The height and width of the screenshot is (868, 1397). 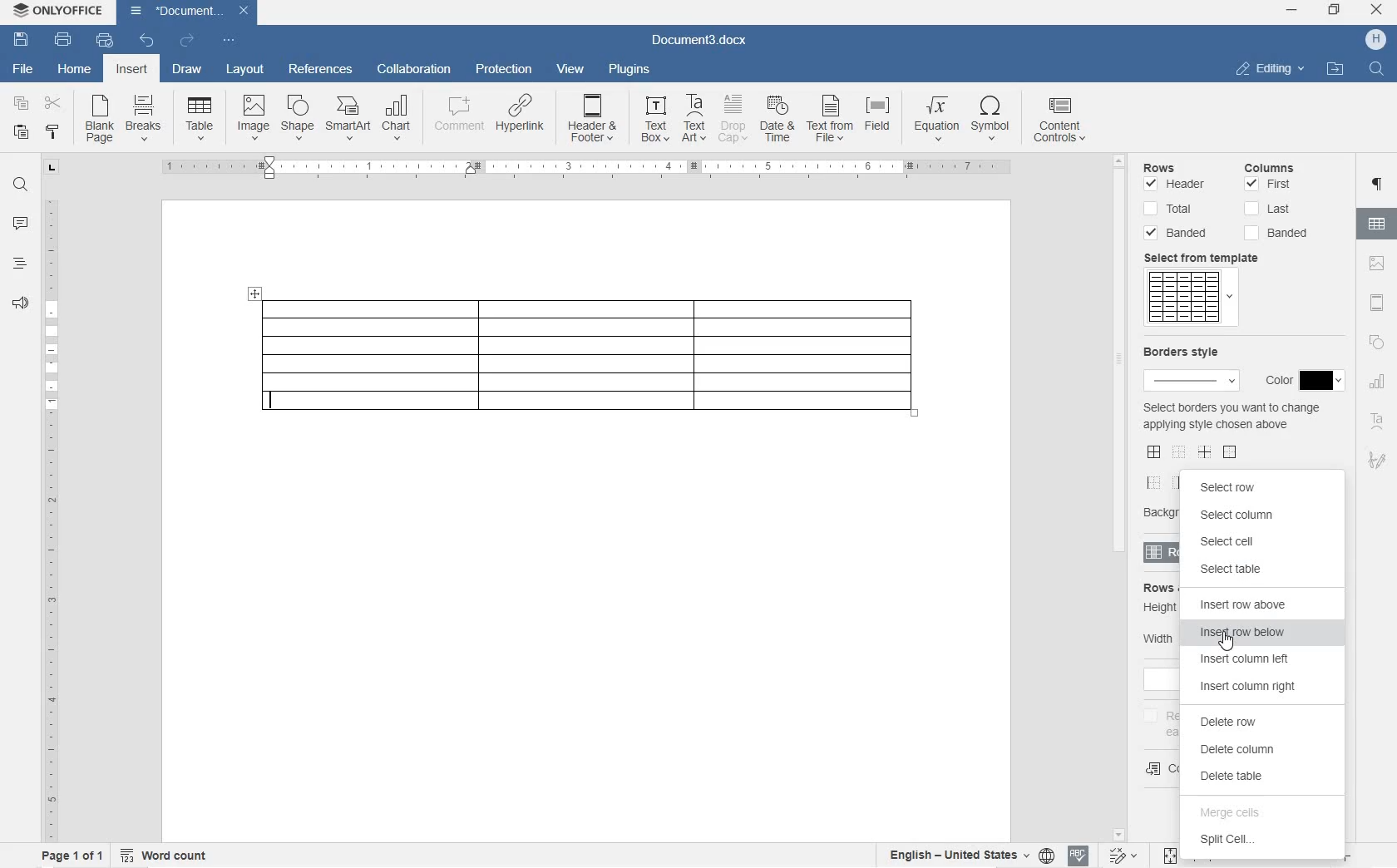 What do you see at coordinates (1242, 570) in the screenshot?
I see `select table` at bounding box center [1242, 570].